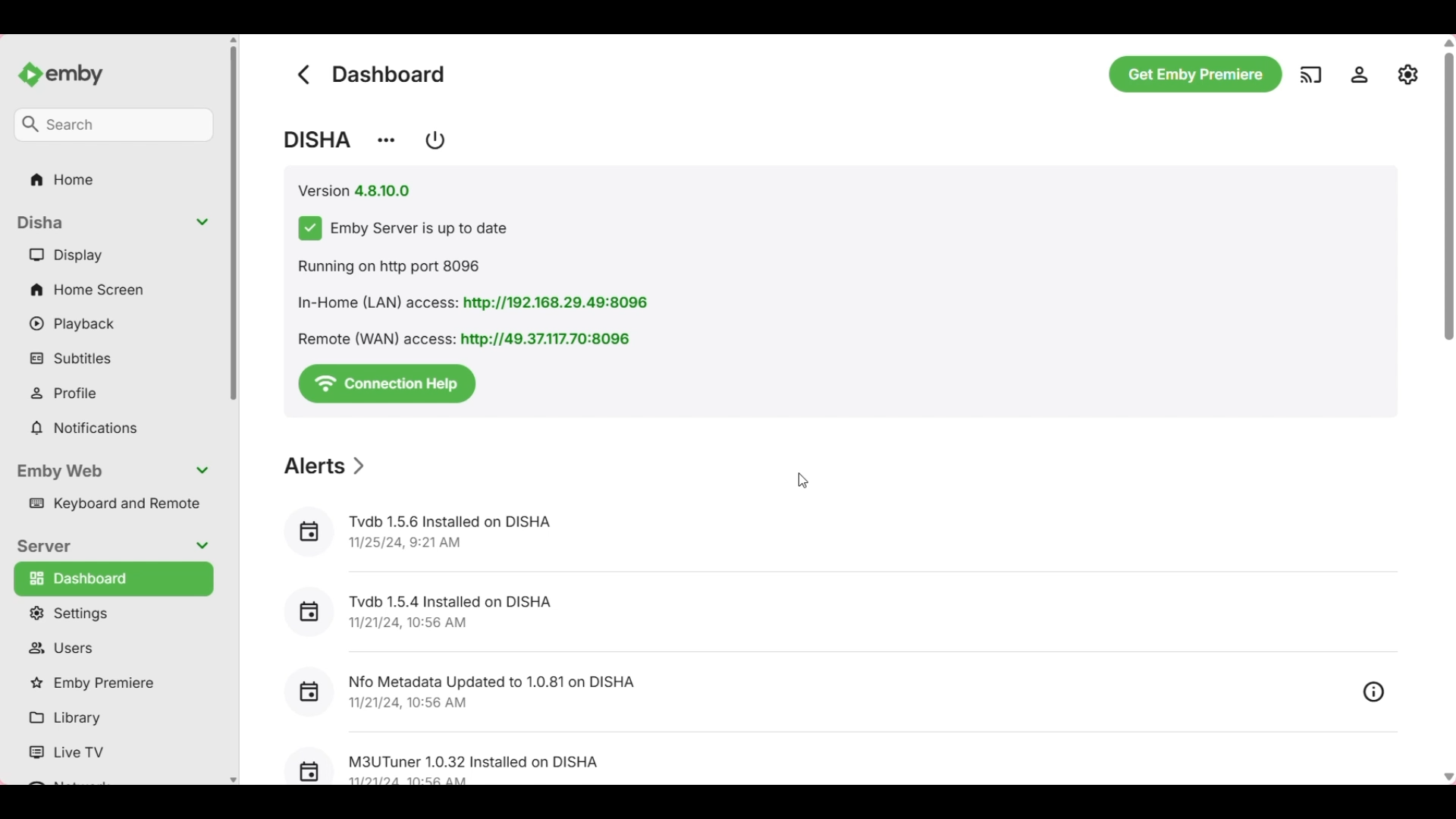 This screenshot has height=819, width=1456. I want to click on Playback, so click(113, 324).